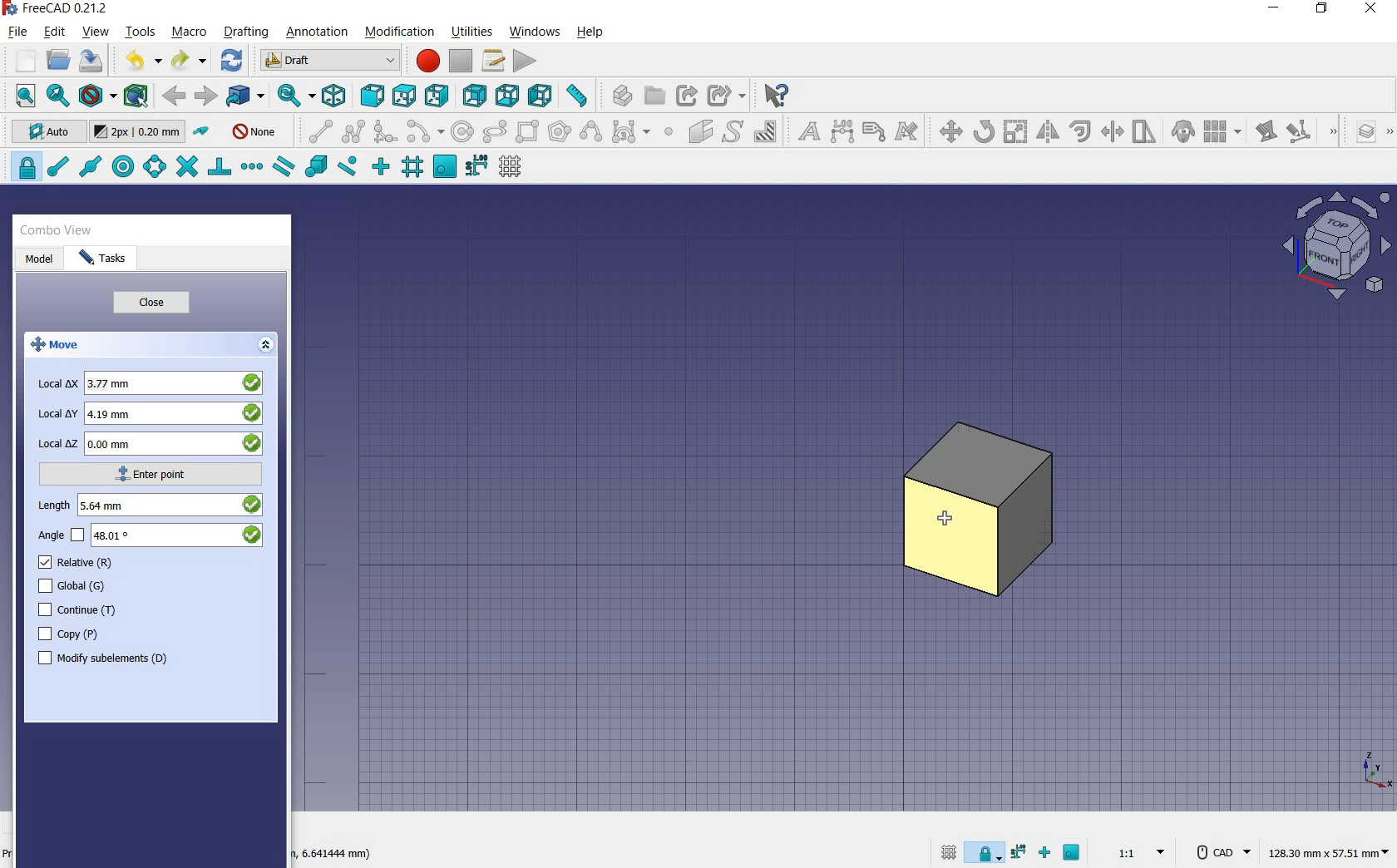 The height and width of the screenshot is (868, 1397). I want to click on macros, so click(493, 61).